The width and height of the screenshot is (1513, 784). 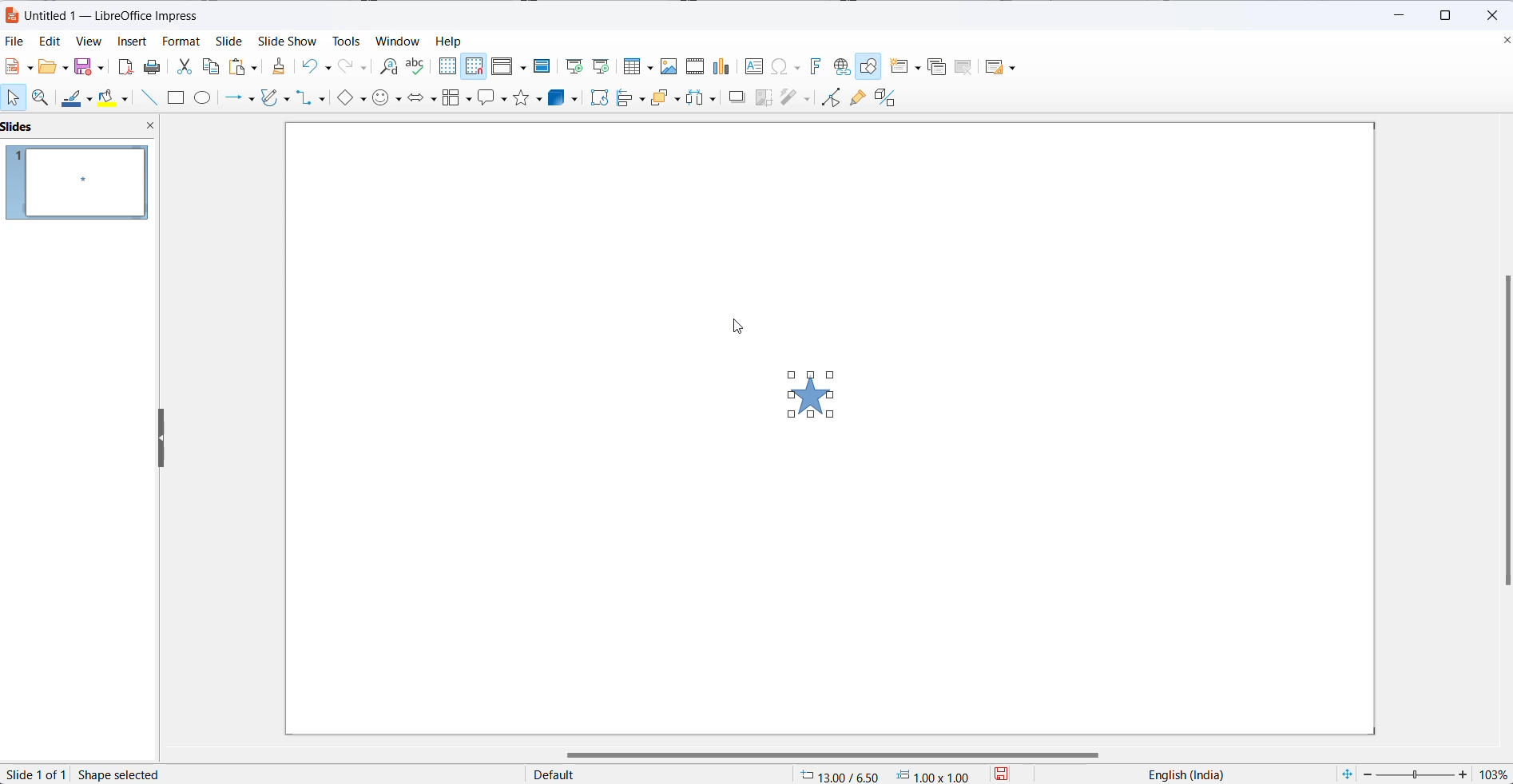 I want to click on scrollbar, so click(x=1498, y=434).